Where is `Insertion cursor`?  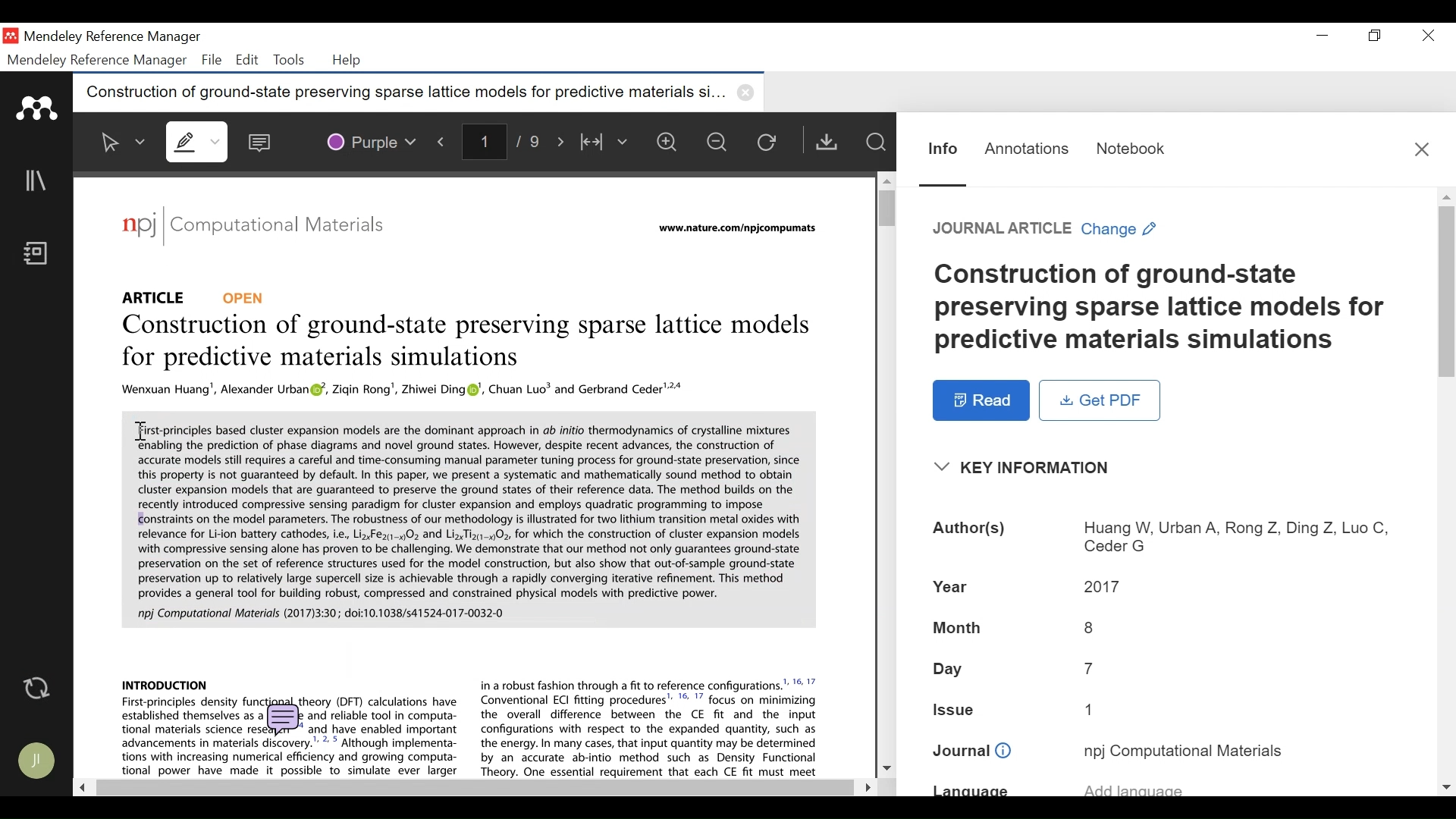
Insertion cursor is located at coordinates (140, 432).